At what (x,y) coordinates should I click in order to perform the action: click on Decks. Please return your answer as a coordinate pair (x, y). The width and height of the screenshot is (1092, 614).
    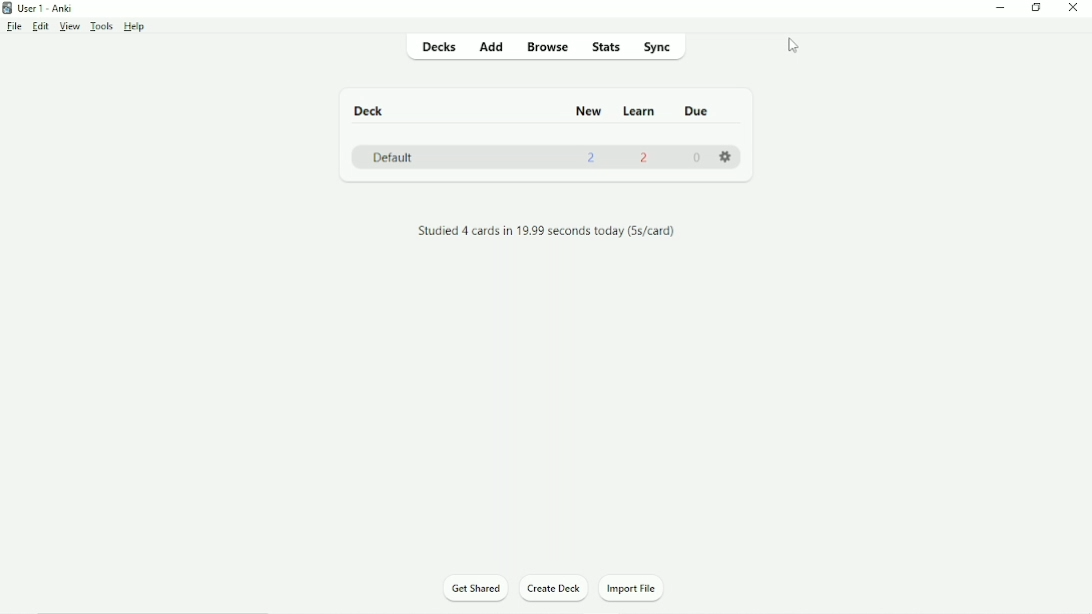
    Looking at the image, I should click on (432, 46).